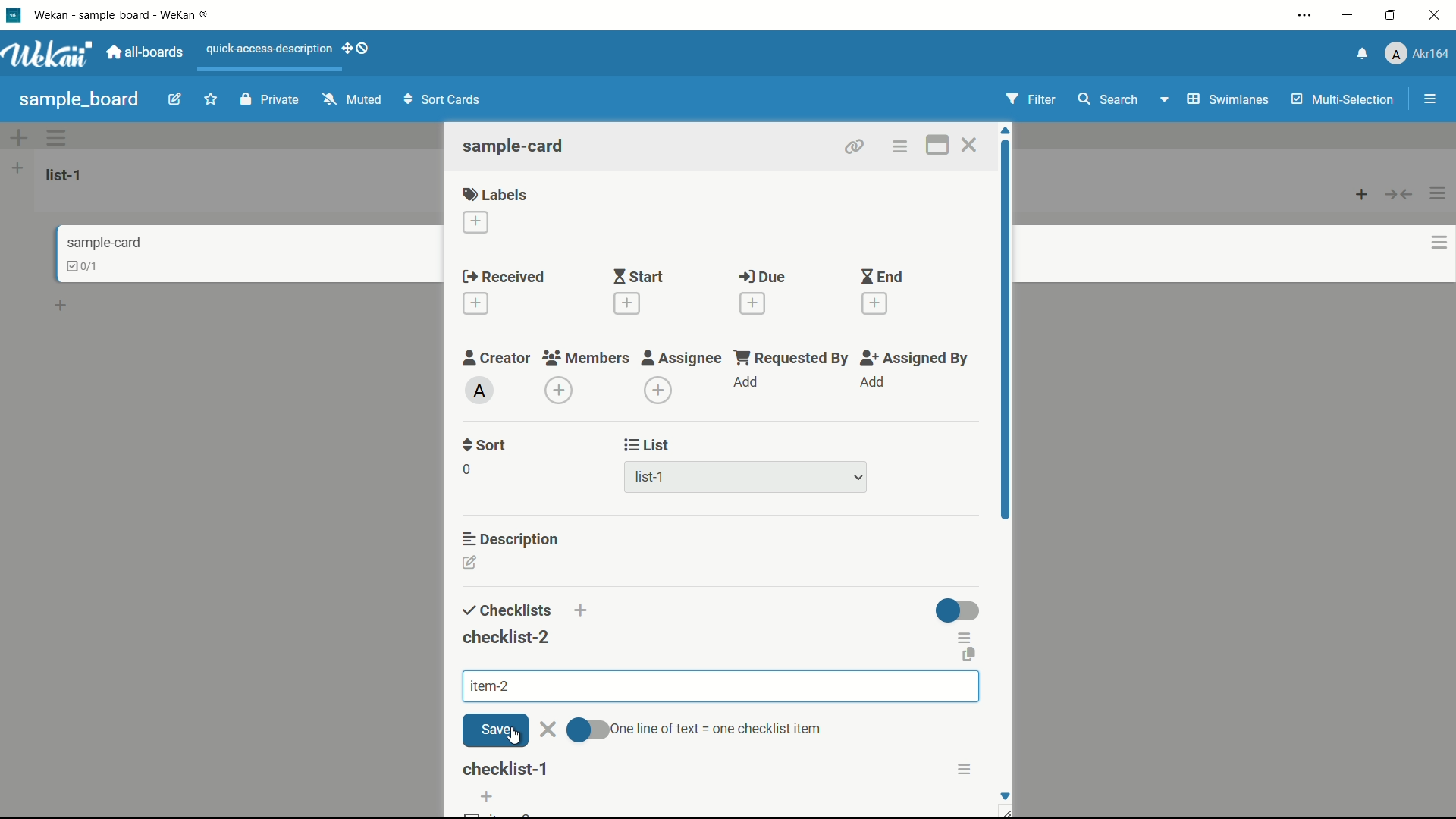 Image resolution: width=1456 pixels, height=819 pixels. I want to click on card name, so click(104, 242).